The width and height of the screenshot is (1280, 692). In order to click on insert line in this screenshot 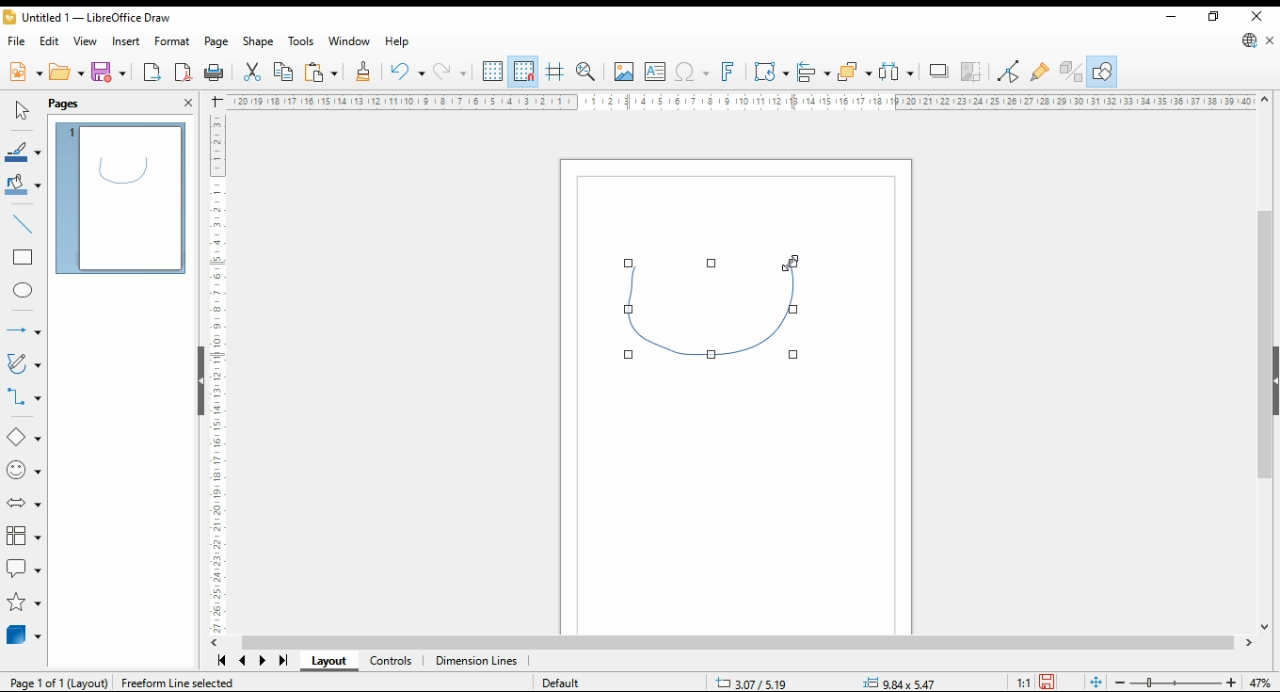, I will do `click(21, 223)`.